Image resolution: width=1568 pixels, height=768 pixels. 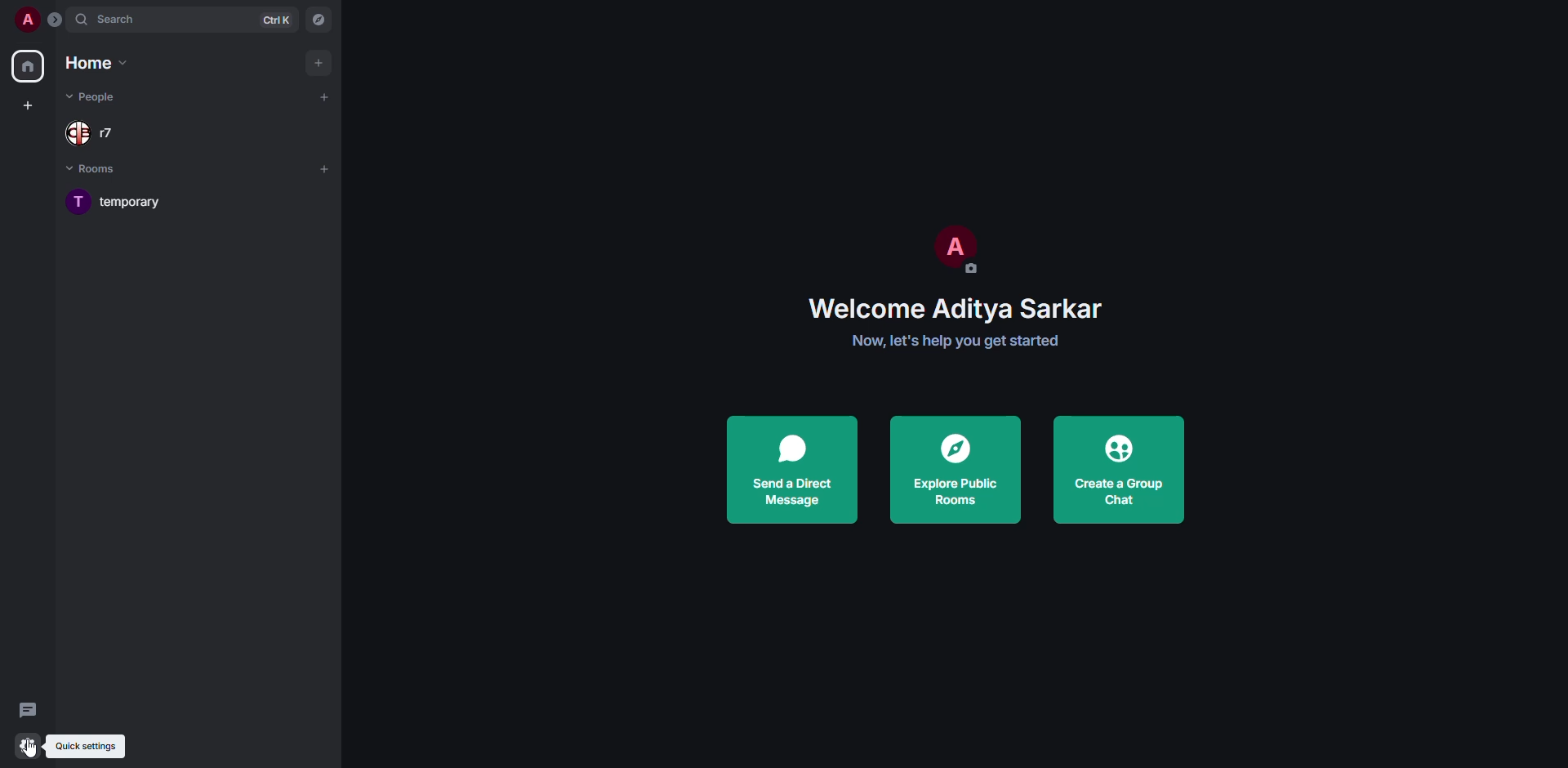 I want to click on threads, so click(x=30, y=710).